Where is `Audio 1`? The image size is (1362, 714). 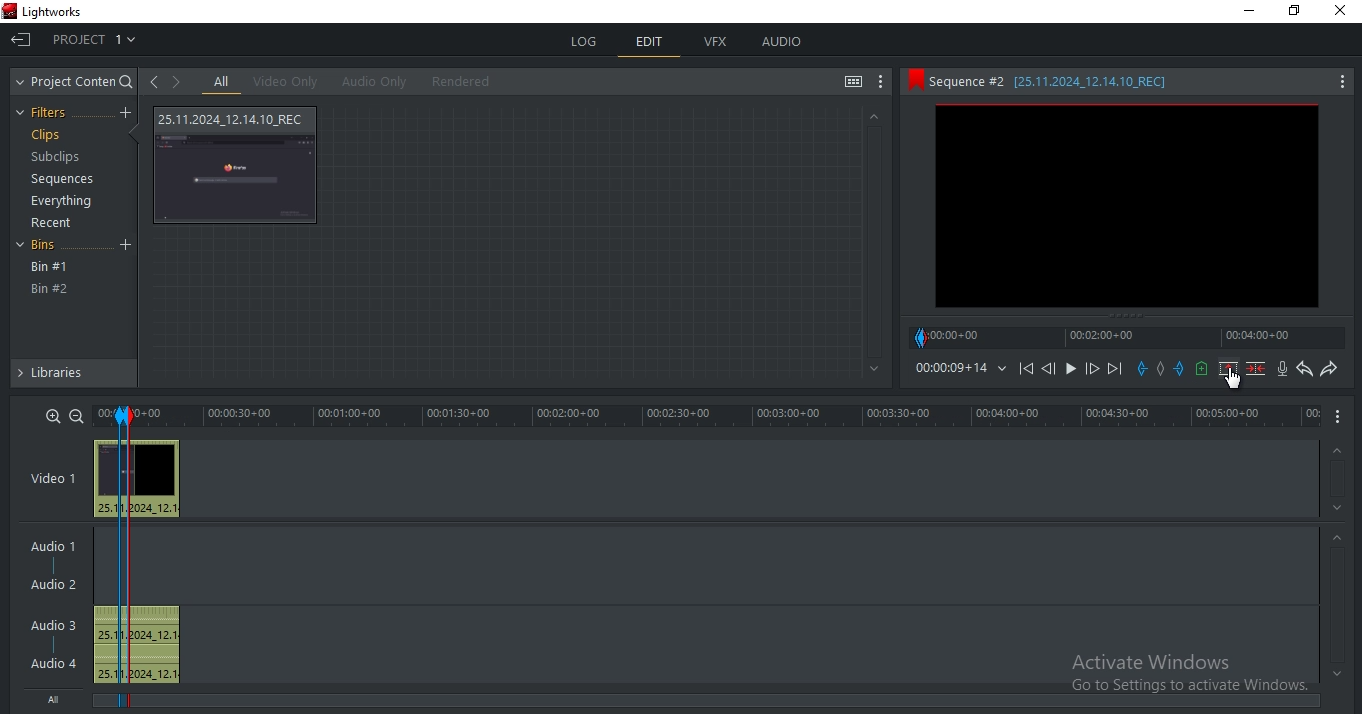 Audio 1 is located at coordinates (57, 543).